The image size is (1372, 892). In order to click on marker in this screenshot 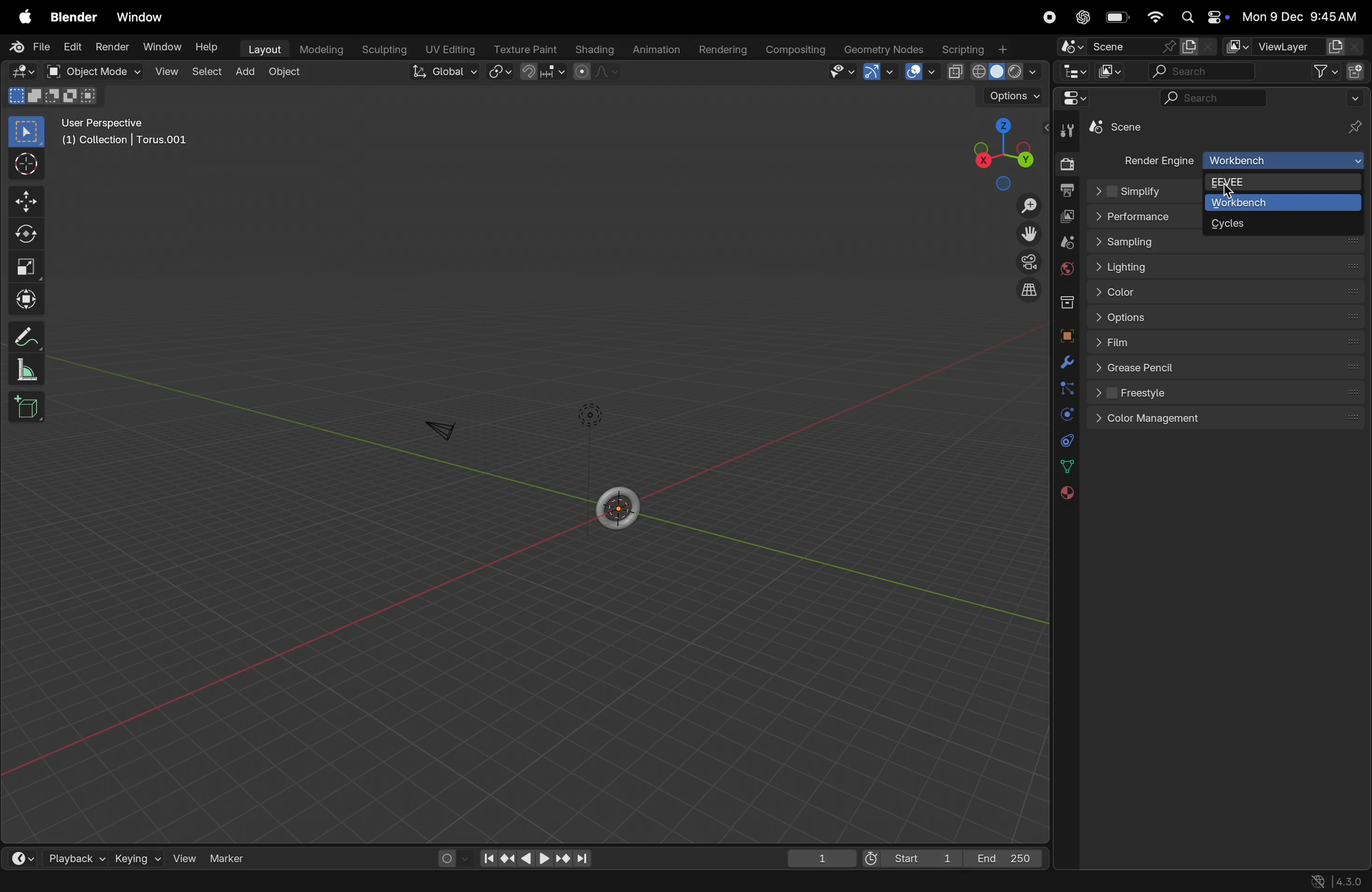, I will do `click(233, 860)`.